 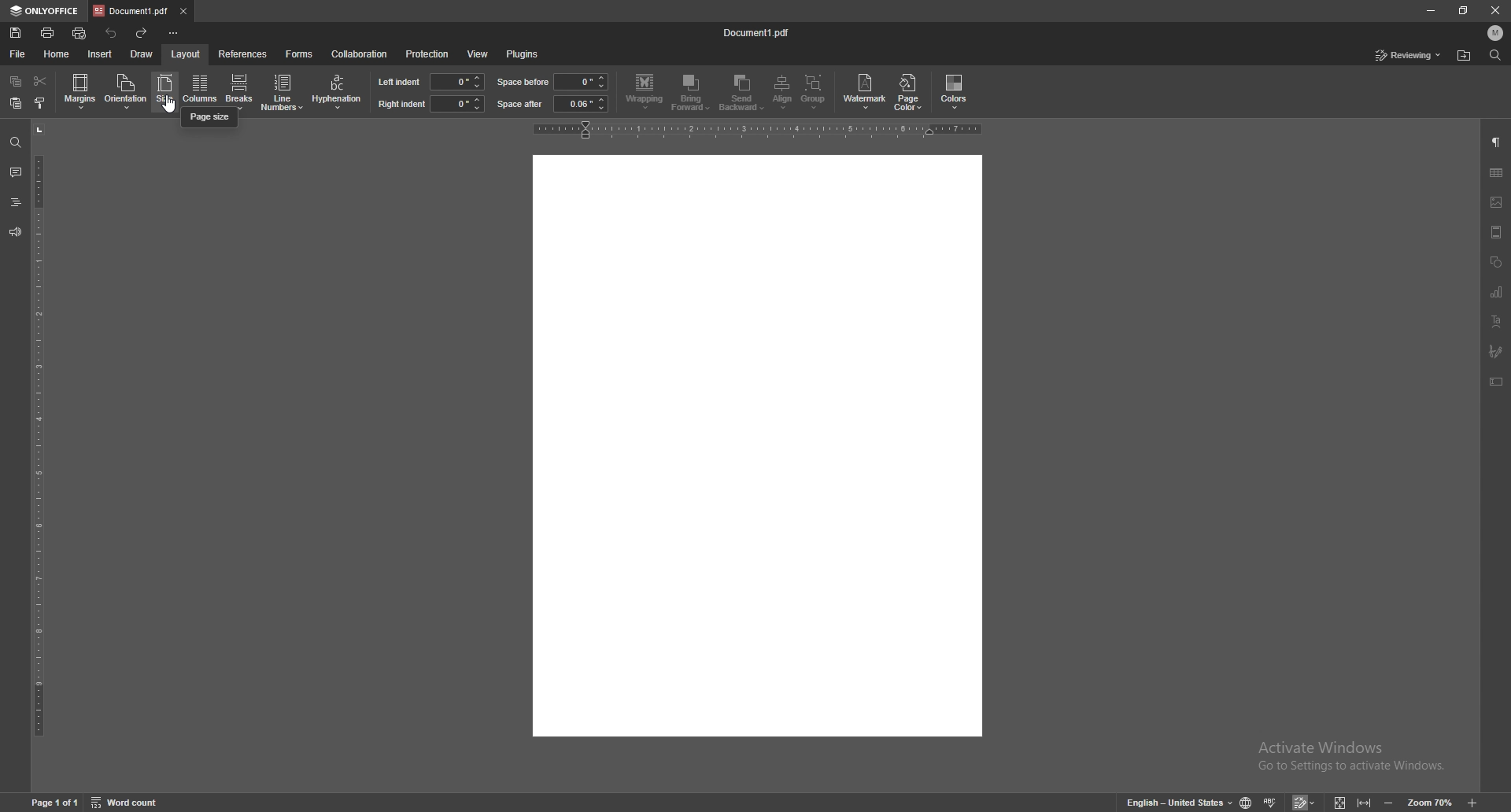 I want to click on shapes, so click(x=1496, y=262).